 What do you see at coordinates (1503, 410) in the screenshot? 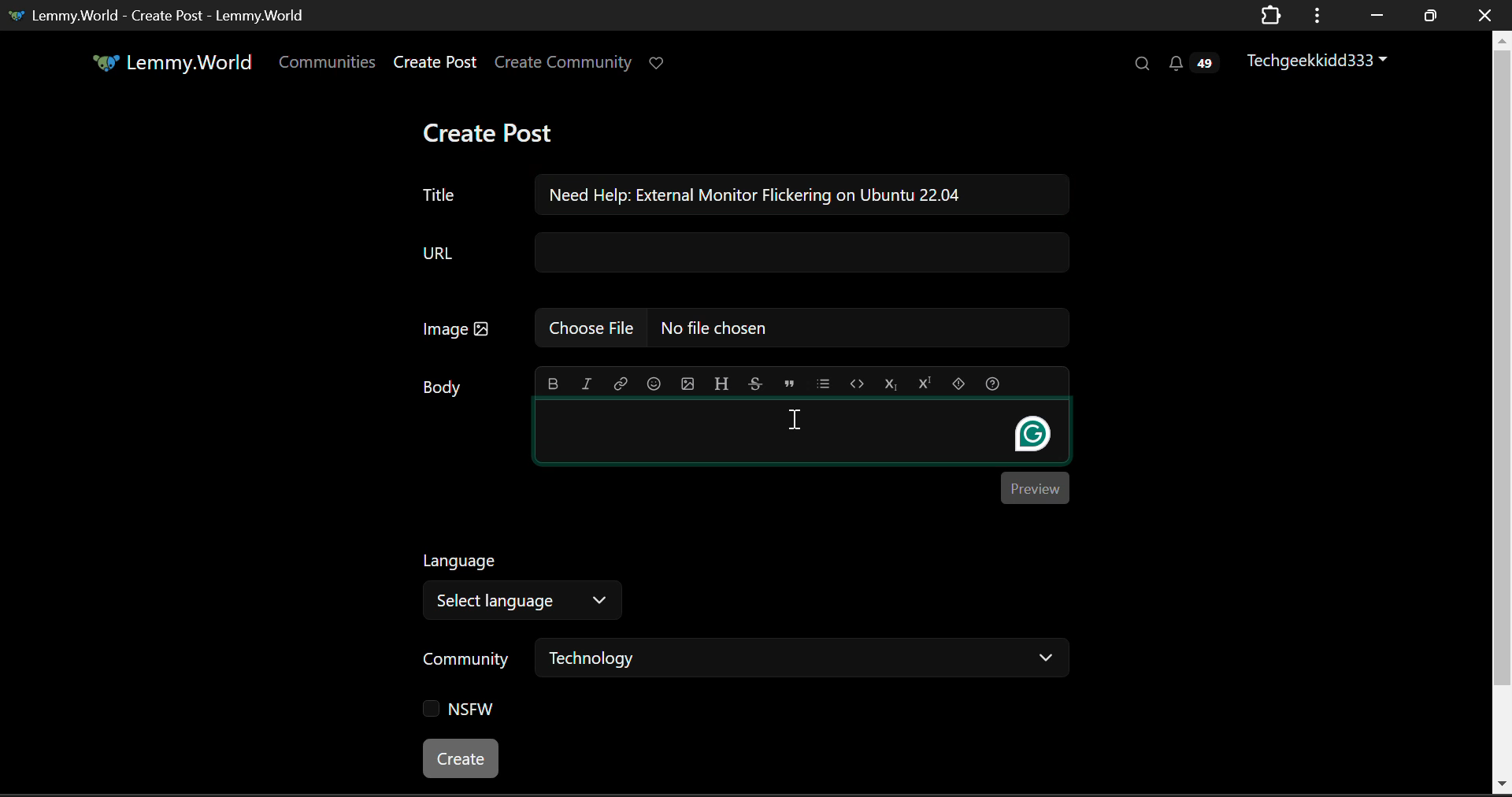
I see `Vertical Scroll Bar` at bounding box center [1503, 410].